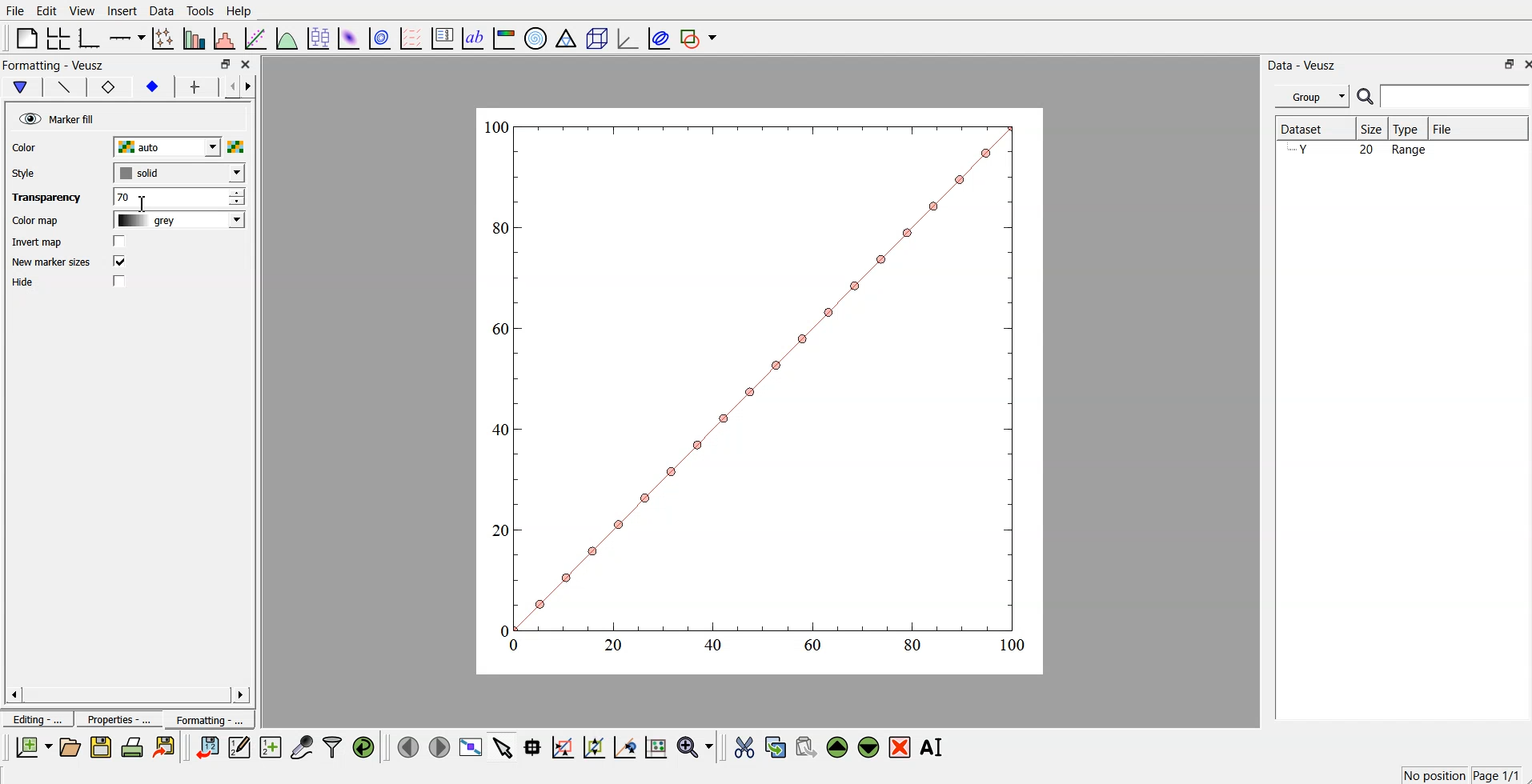 The height and width of the screenshot is (784, 1532). I want to click on Invert map, so click(38, 242).